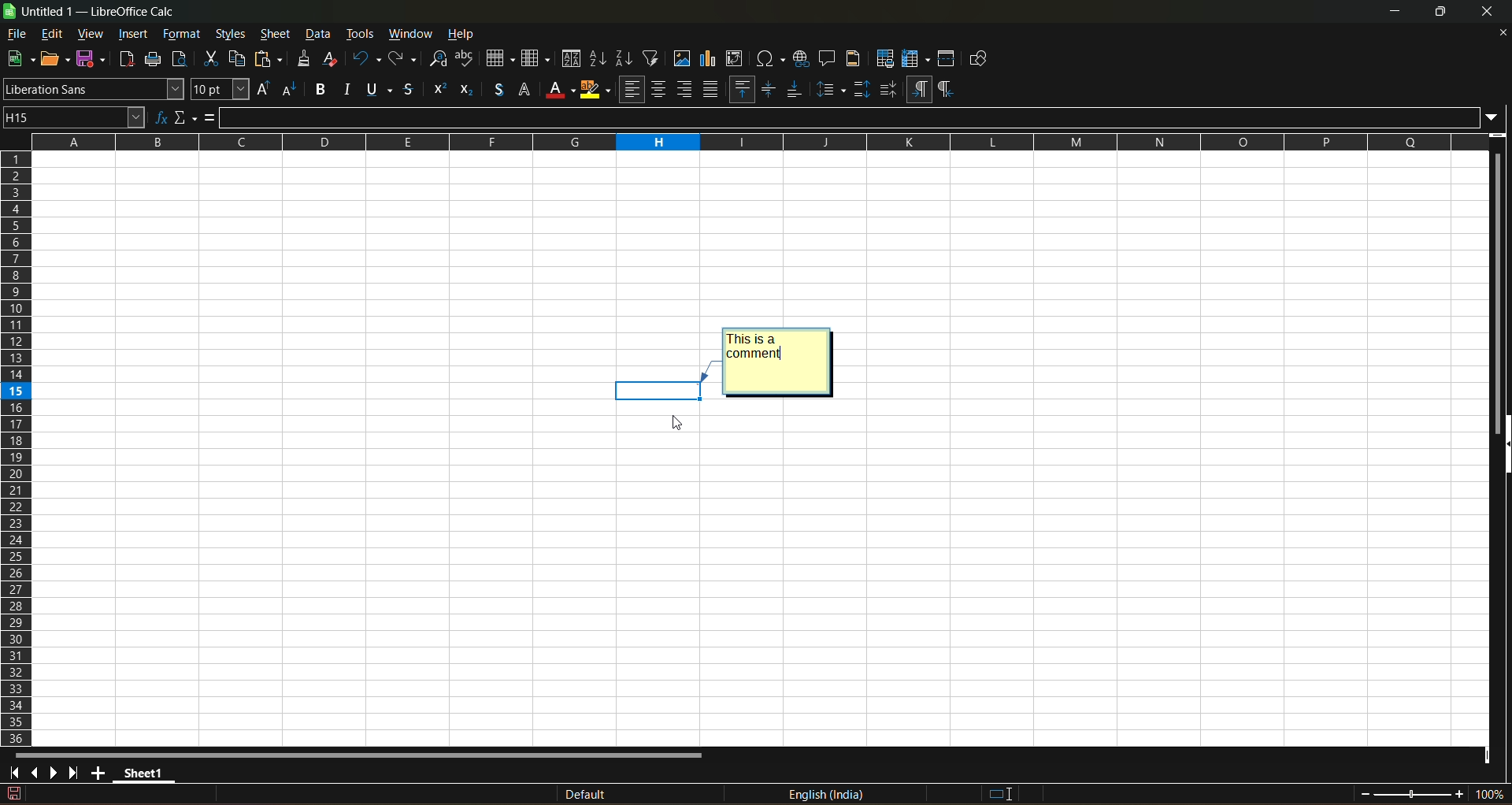  I want to click on italic, so click(296, 91).